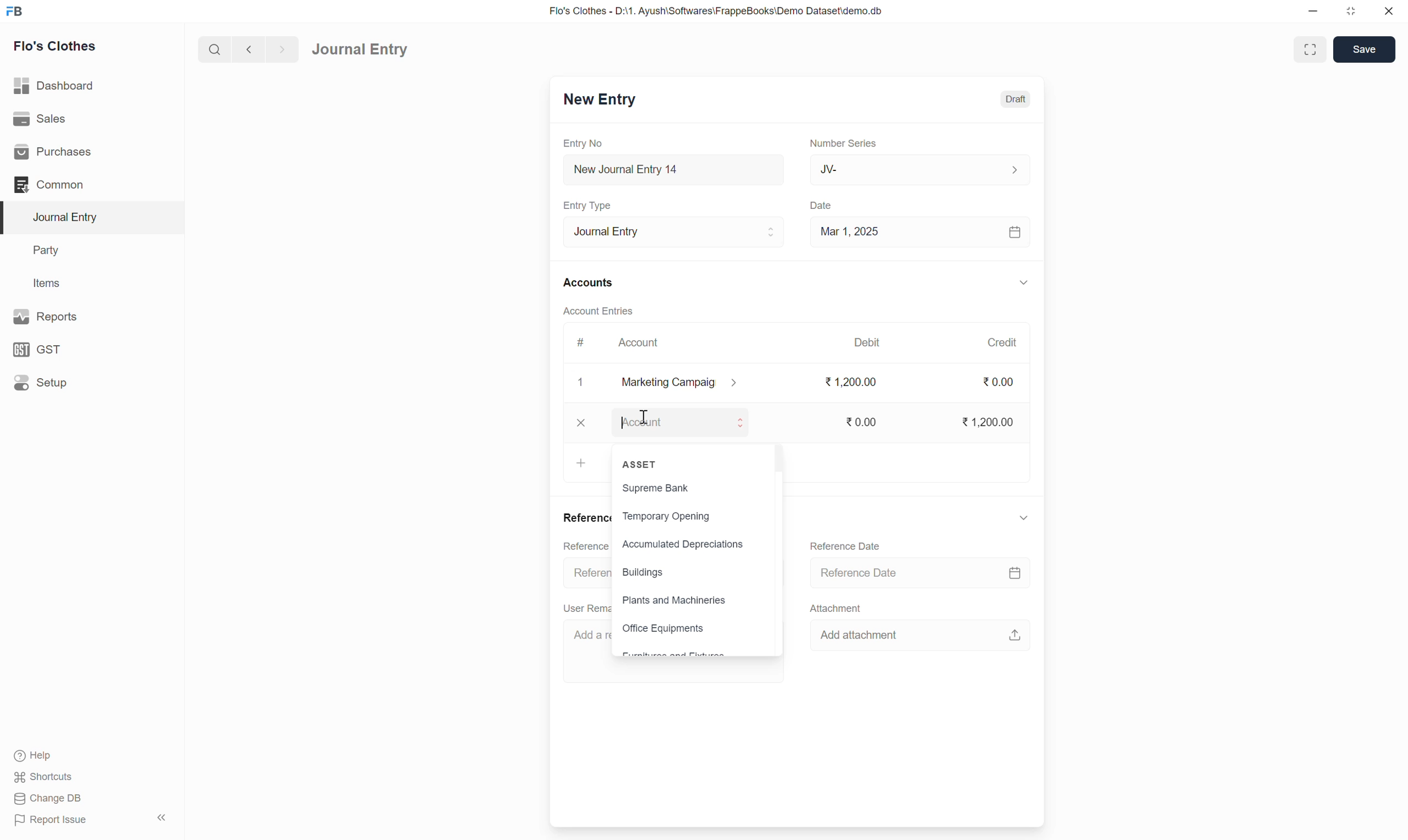 Image resolution: width=1408 pixels, height=840 pixels. What do you see at coordinates (360, 50) in the screenshot?
I see `Journal Entry` at bounding box center [360, 50].